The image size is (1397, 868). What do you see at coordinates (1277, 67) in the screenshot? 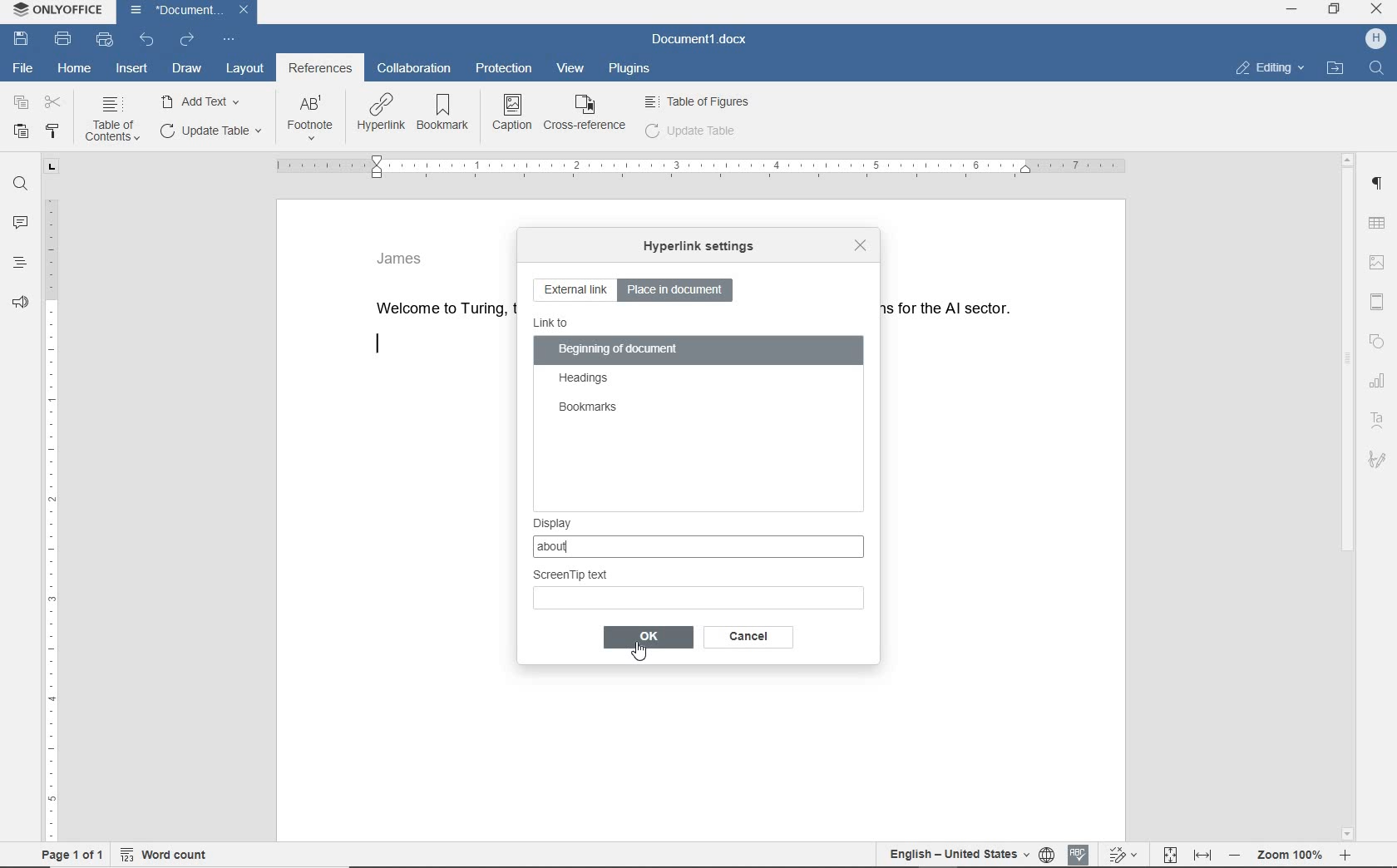
I see `Editing` at bounding box center [1277, 67].